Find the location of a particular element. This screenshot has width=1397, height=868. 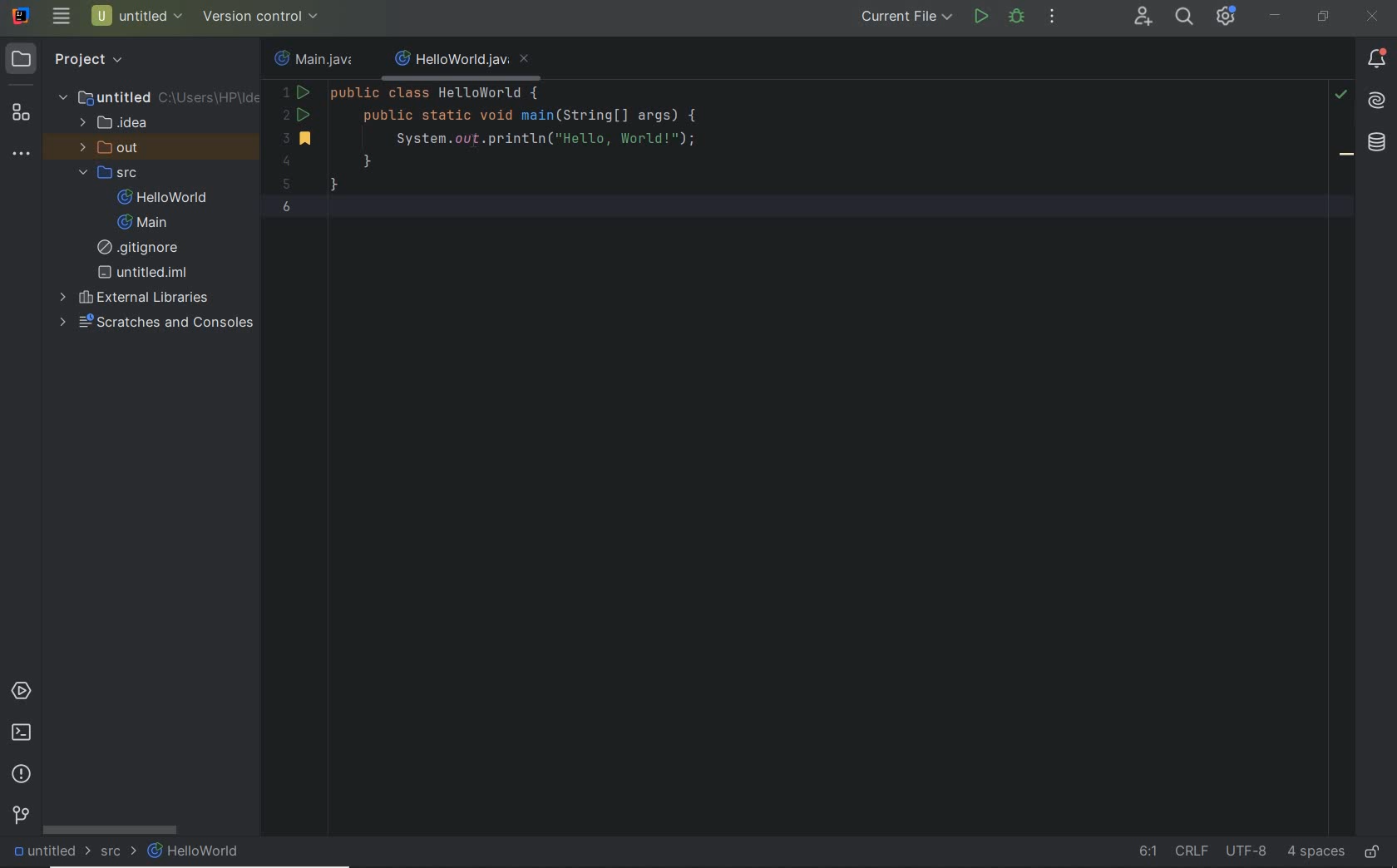

HelloWorld is located at coordinates (163, 197).